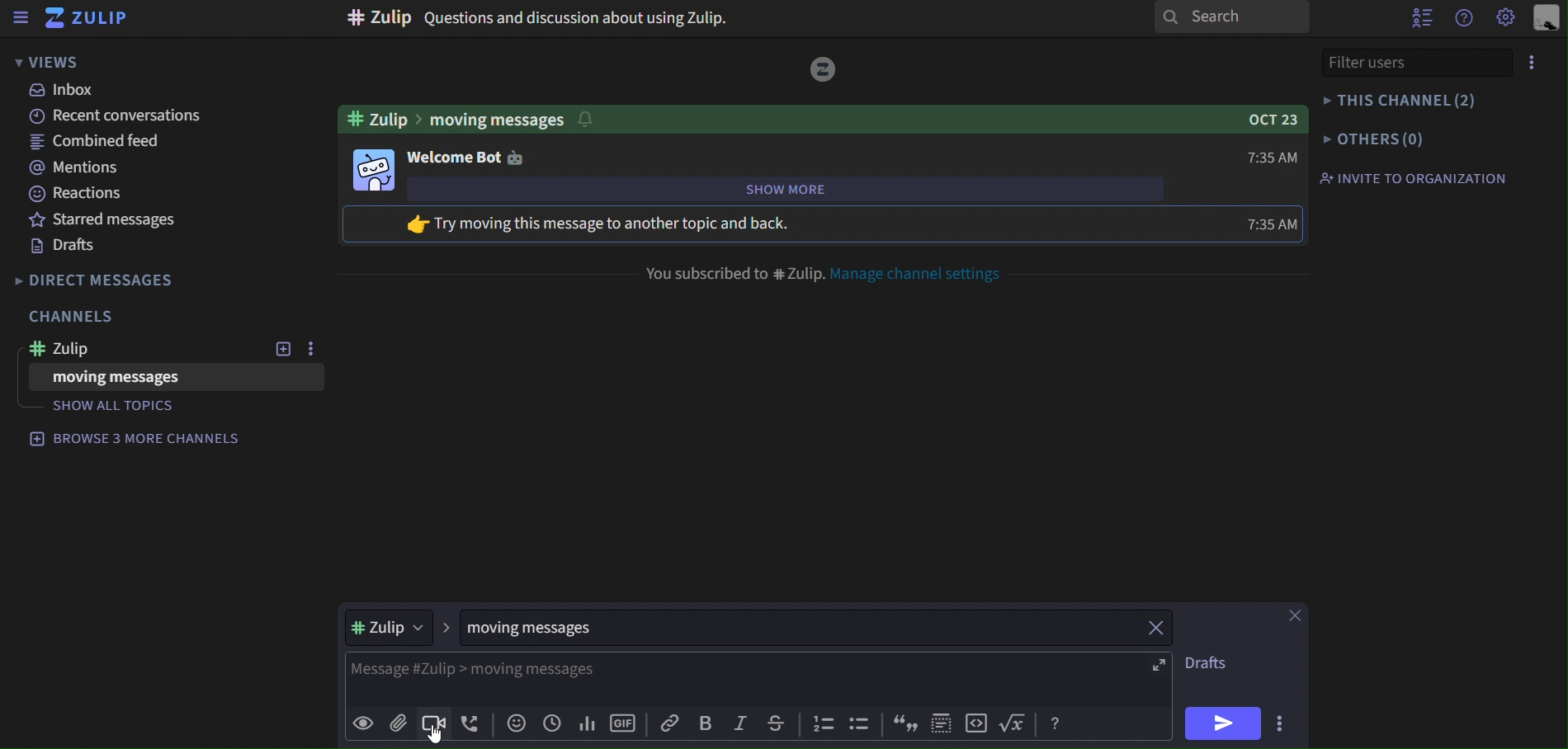 This screenshot has width=1568, height=749. What do you see at coordinates (465, 156) in the screenshot?
I see `welcome bot` at bounding box center [465, 156].